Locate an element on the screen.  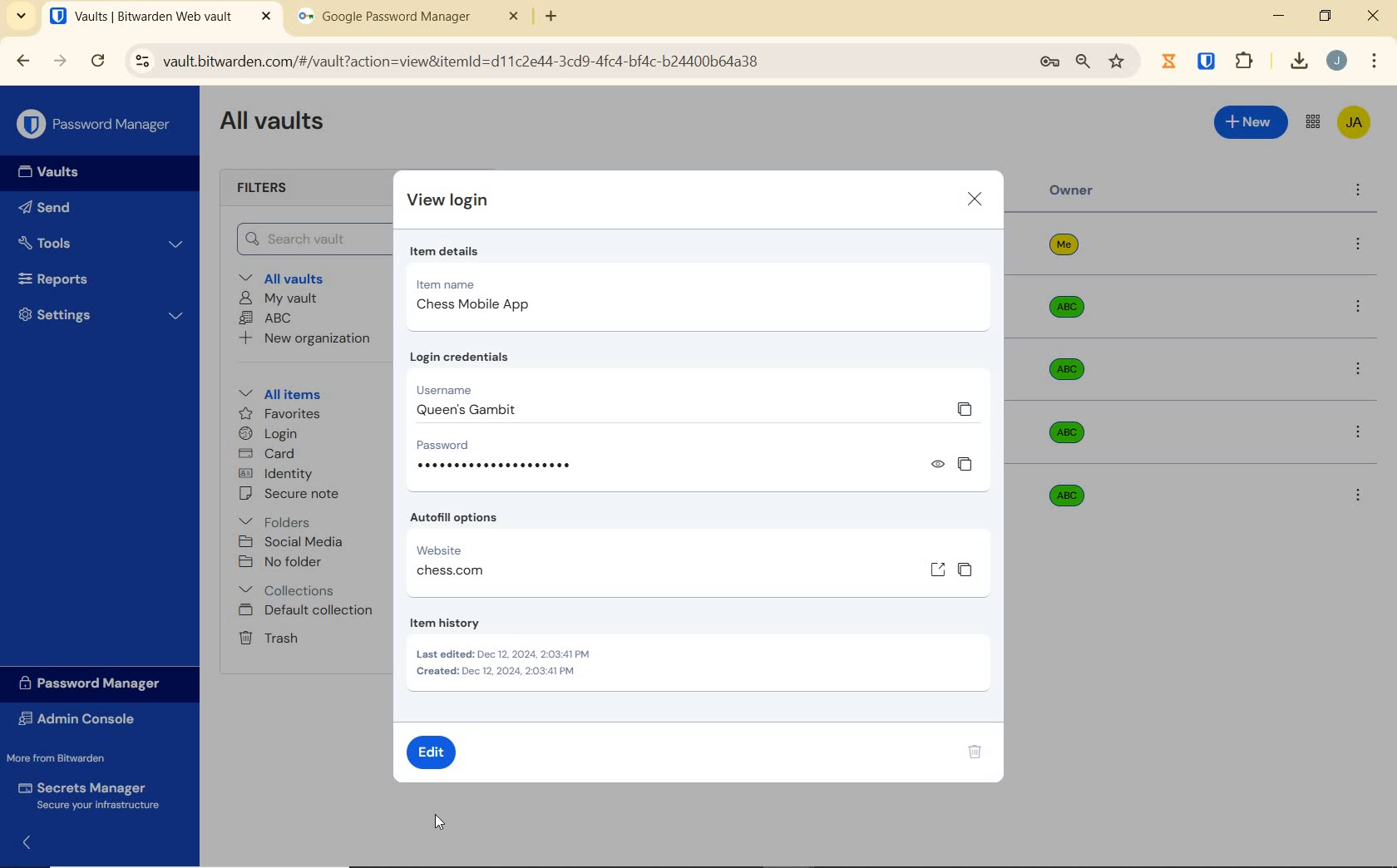
hidden password is located at coordinates (500, 465).